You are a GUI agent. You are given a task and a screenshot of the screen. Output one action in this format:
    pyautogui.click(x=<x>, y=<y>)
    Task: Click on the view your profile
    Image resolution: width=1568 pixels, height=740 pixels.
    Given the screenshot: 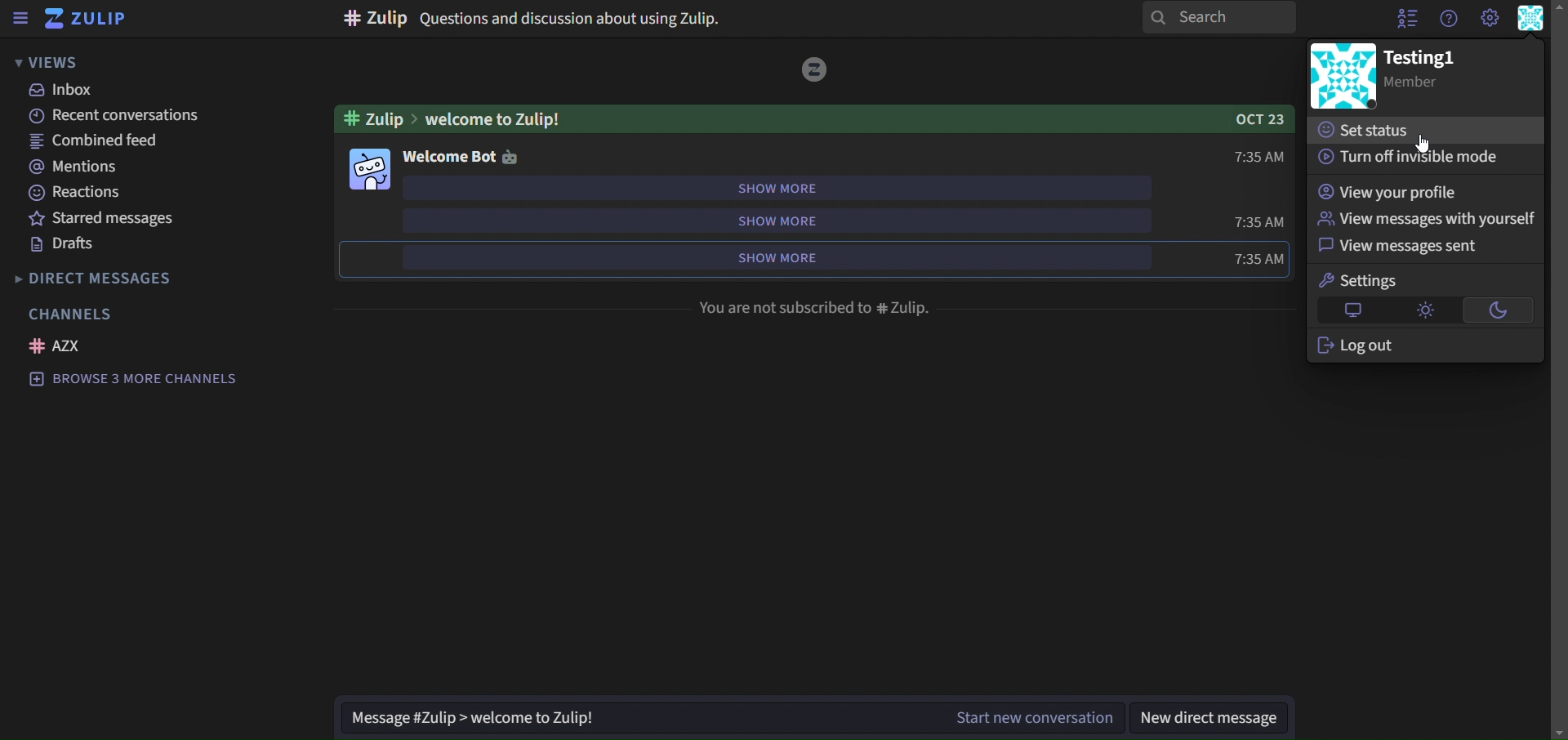 What is the action you would take?
    pyautogui.click(x=1392, y=191)
    